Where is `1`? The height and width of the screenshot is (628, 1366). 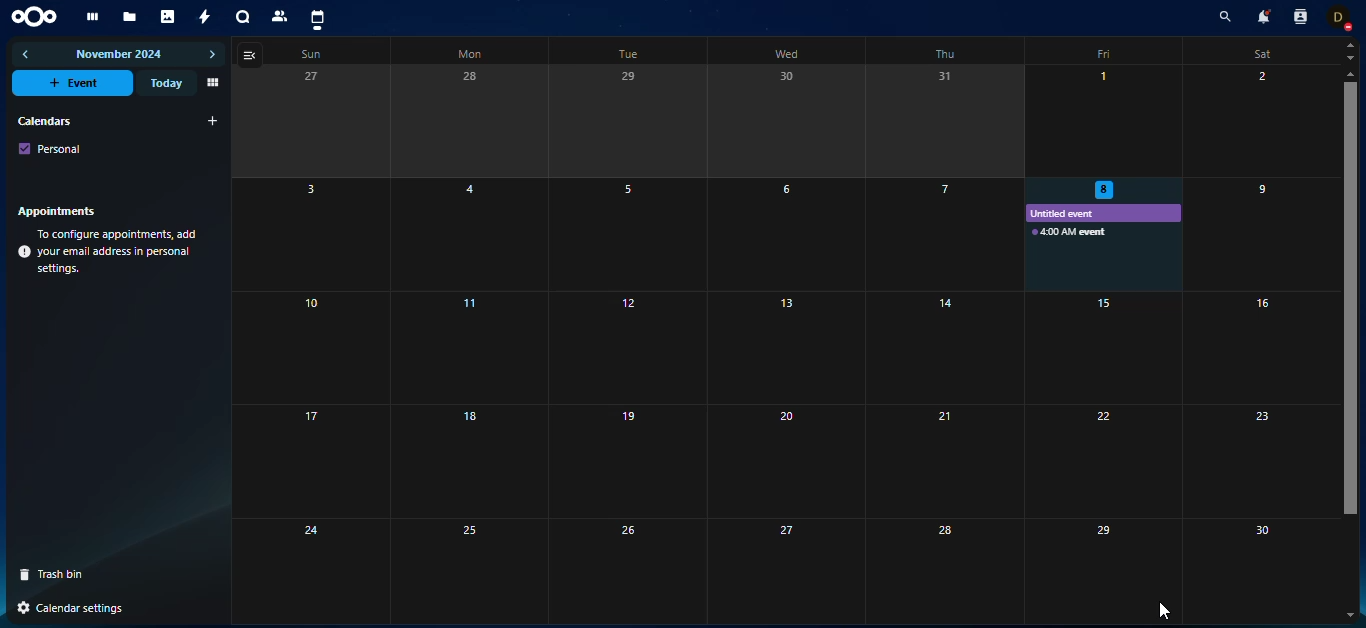 1 is located at coordinates (1110, 119).